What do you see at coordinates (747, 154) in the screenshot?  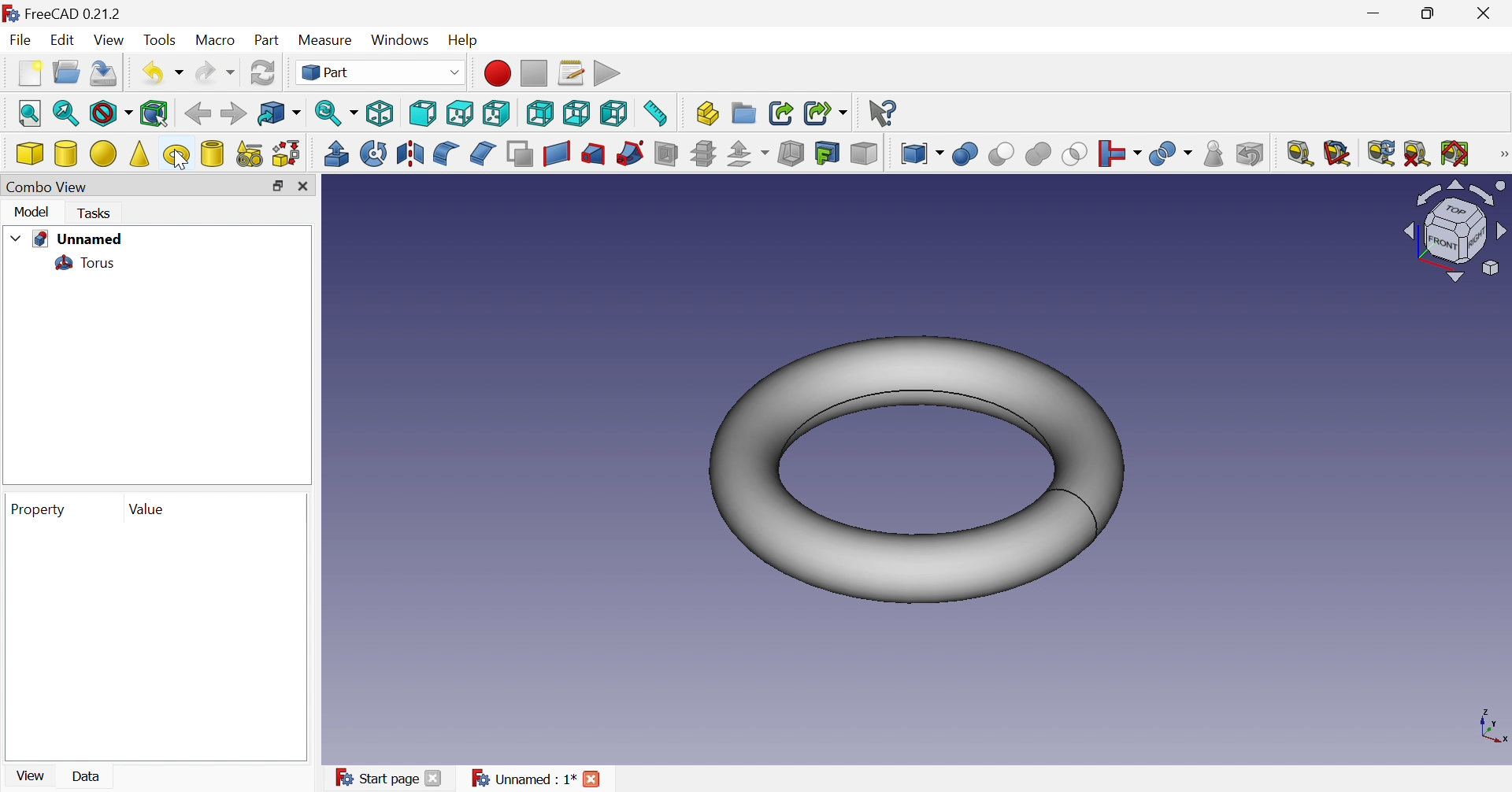 I see `Offset:` at bounding box center [747, 154].